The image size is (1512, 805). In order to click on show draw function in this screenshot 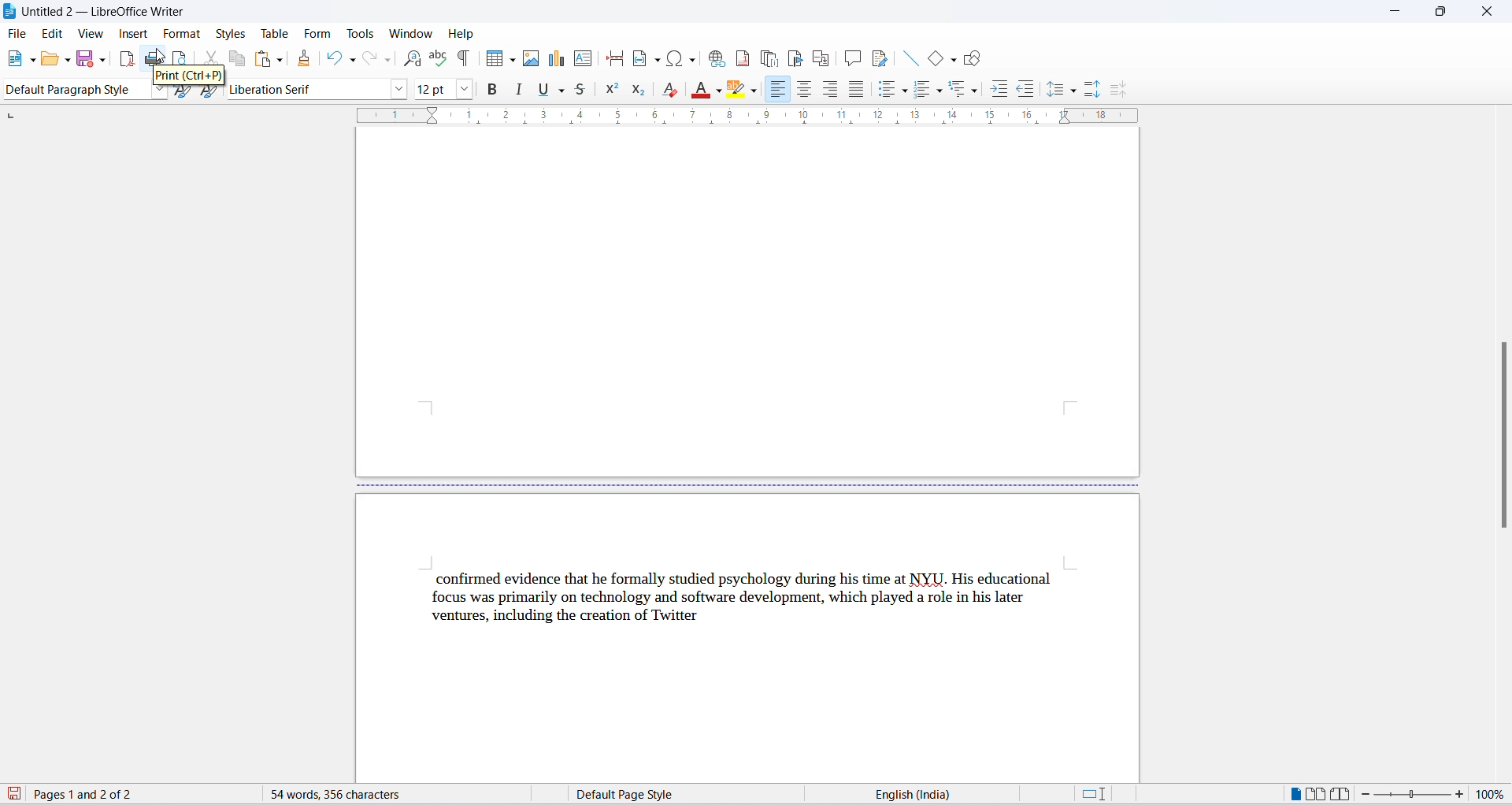, I will do `click(973, 61)`.